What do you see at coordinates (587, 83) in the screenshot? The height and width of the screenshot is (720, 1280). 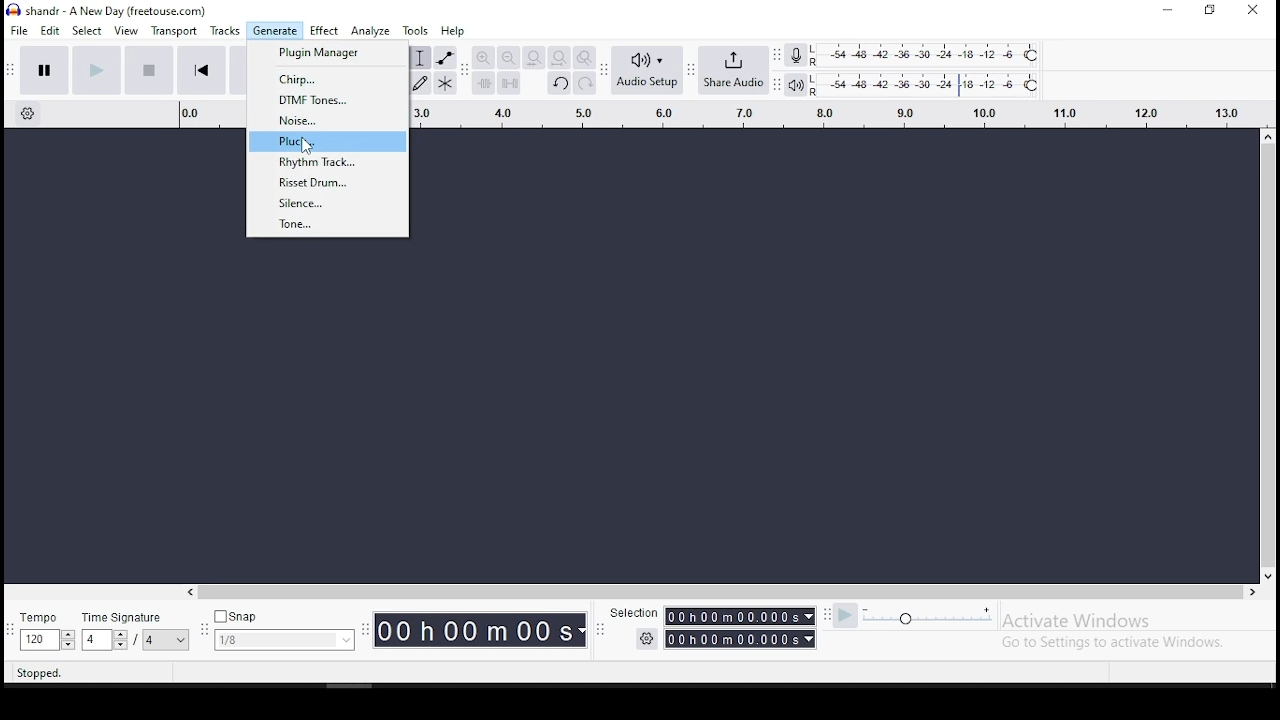 I see `redo` at bounding box center [587, 83].